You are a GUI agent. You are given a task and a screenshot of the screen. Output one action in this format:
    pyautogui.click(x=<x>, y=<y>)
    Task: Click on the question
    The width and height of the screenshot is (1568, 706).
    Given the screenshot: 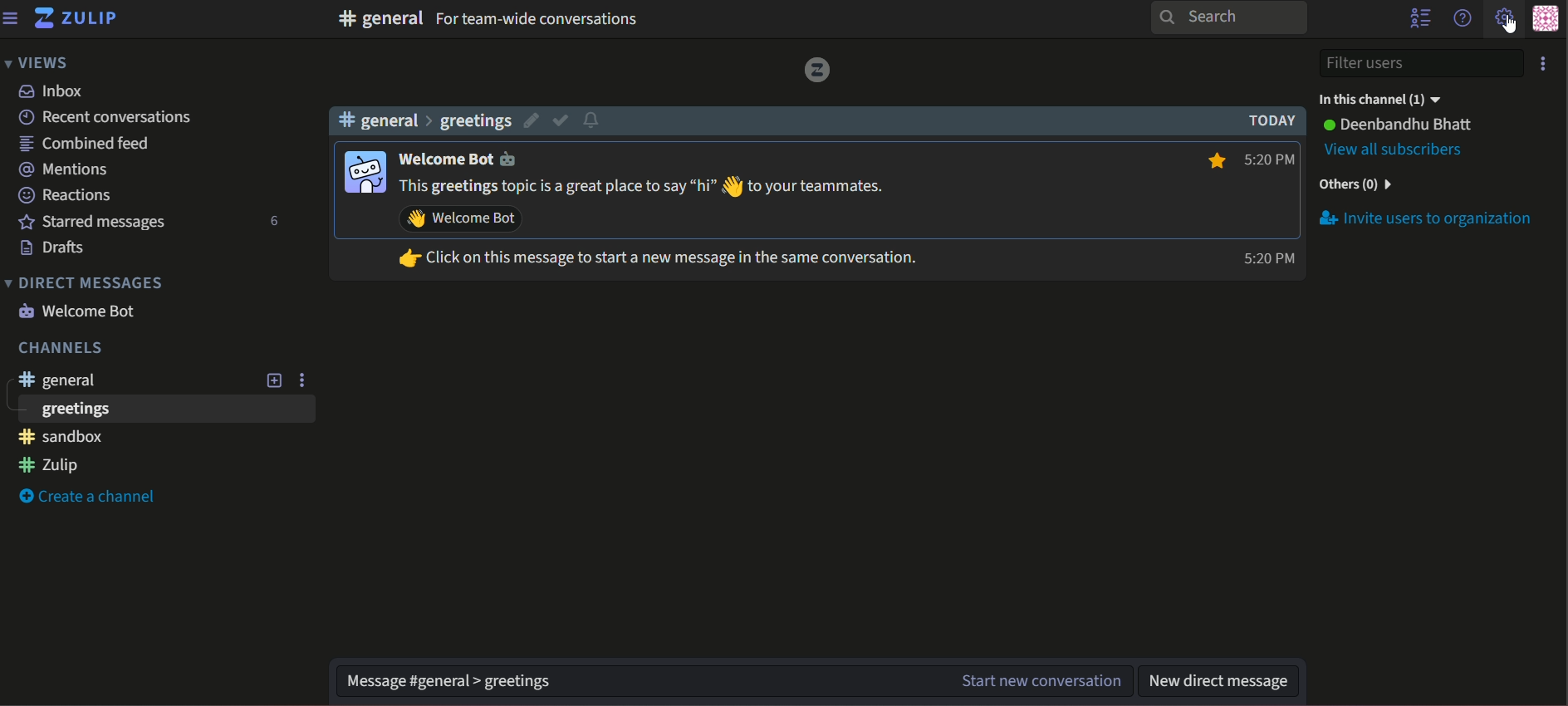 What is the action you would take?
    pyautogui.click(x=1462, y=18)
    